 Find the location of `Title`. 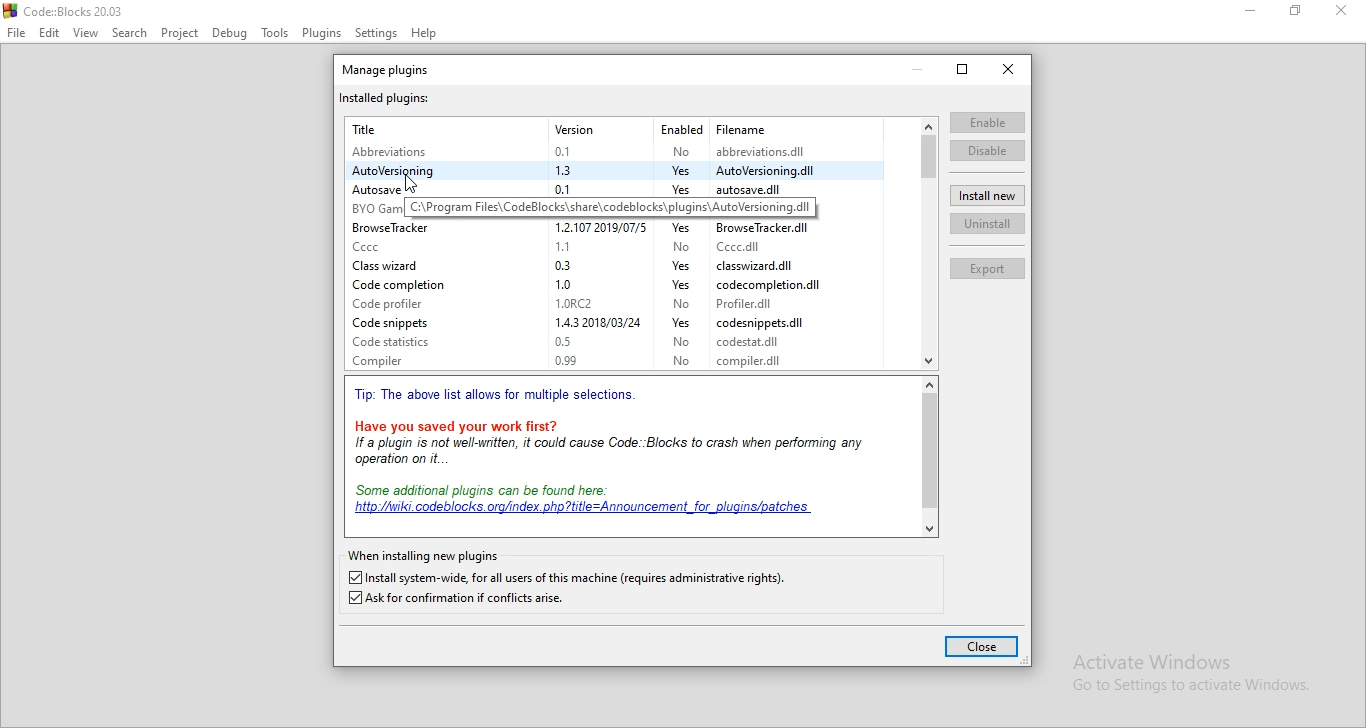

Title is located at coordinates (370, 128).